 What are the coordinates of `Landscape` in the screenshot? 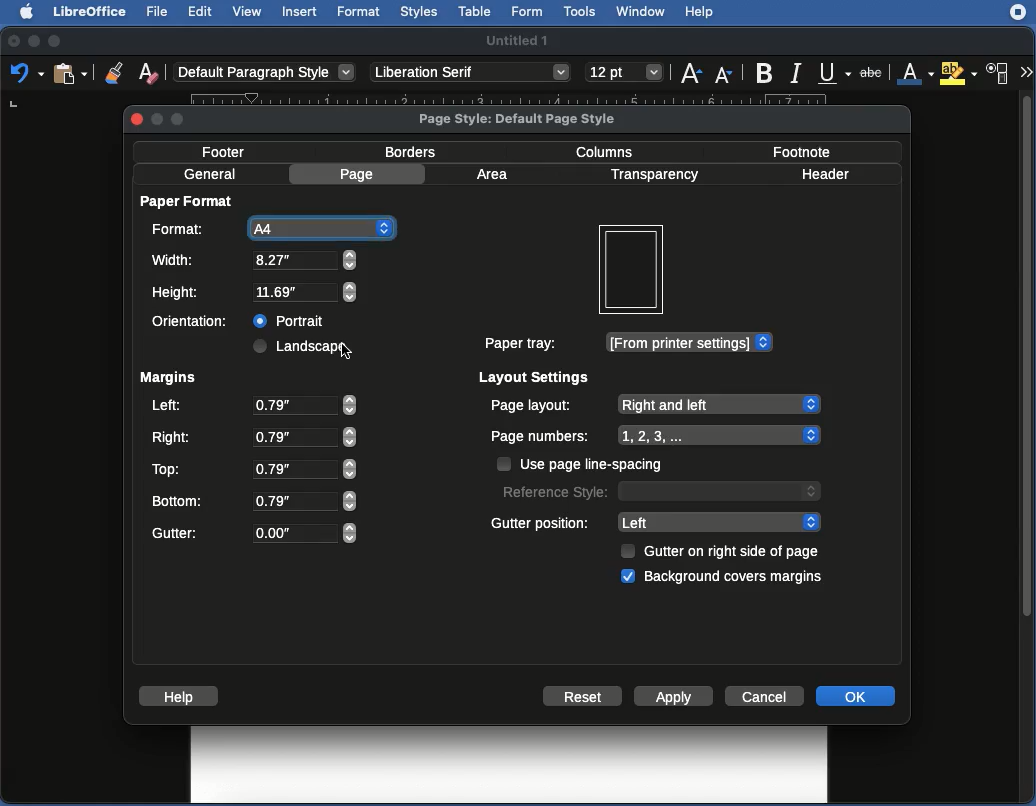 It's located at (302, 348).